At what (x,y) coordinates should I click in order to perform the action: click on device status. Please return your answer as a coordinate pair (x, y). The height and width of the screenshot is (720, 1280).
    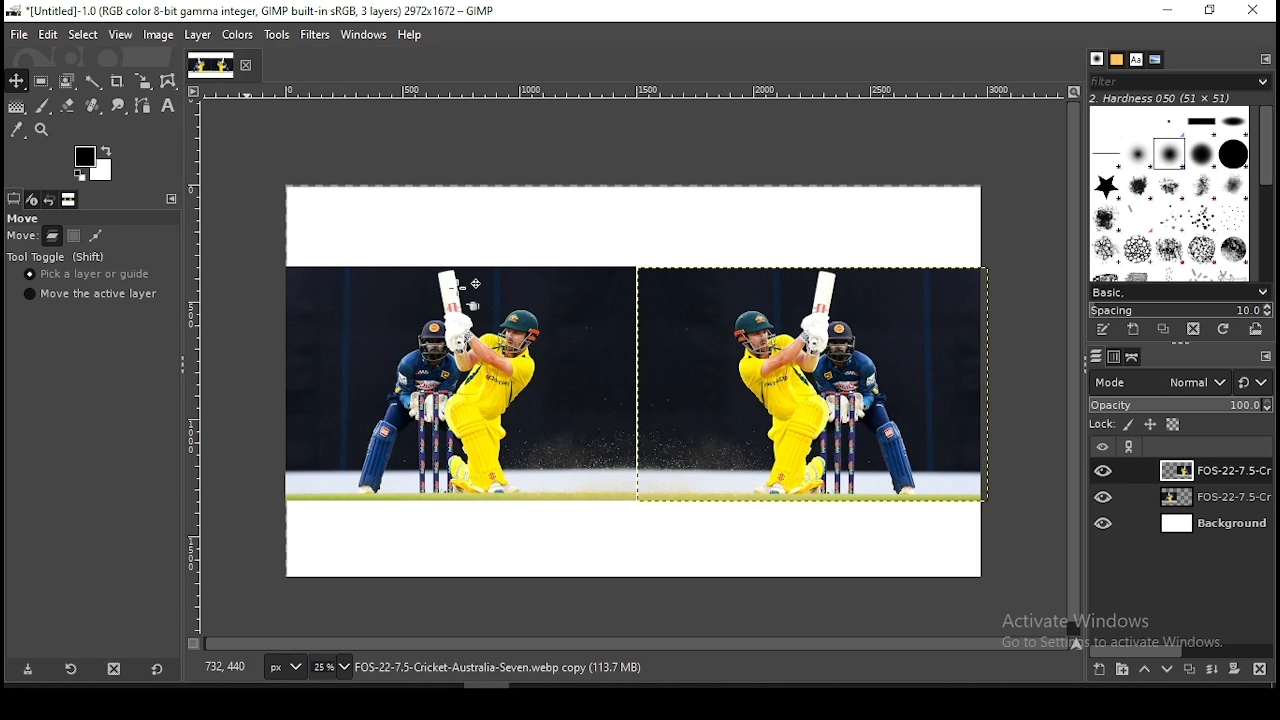
    Looking at the image, I should click on (33, 199).